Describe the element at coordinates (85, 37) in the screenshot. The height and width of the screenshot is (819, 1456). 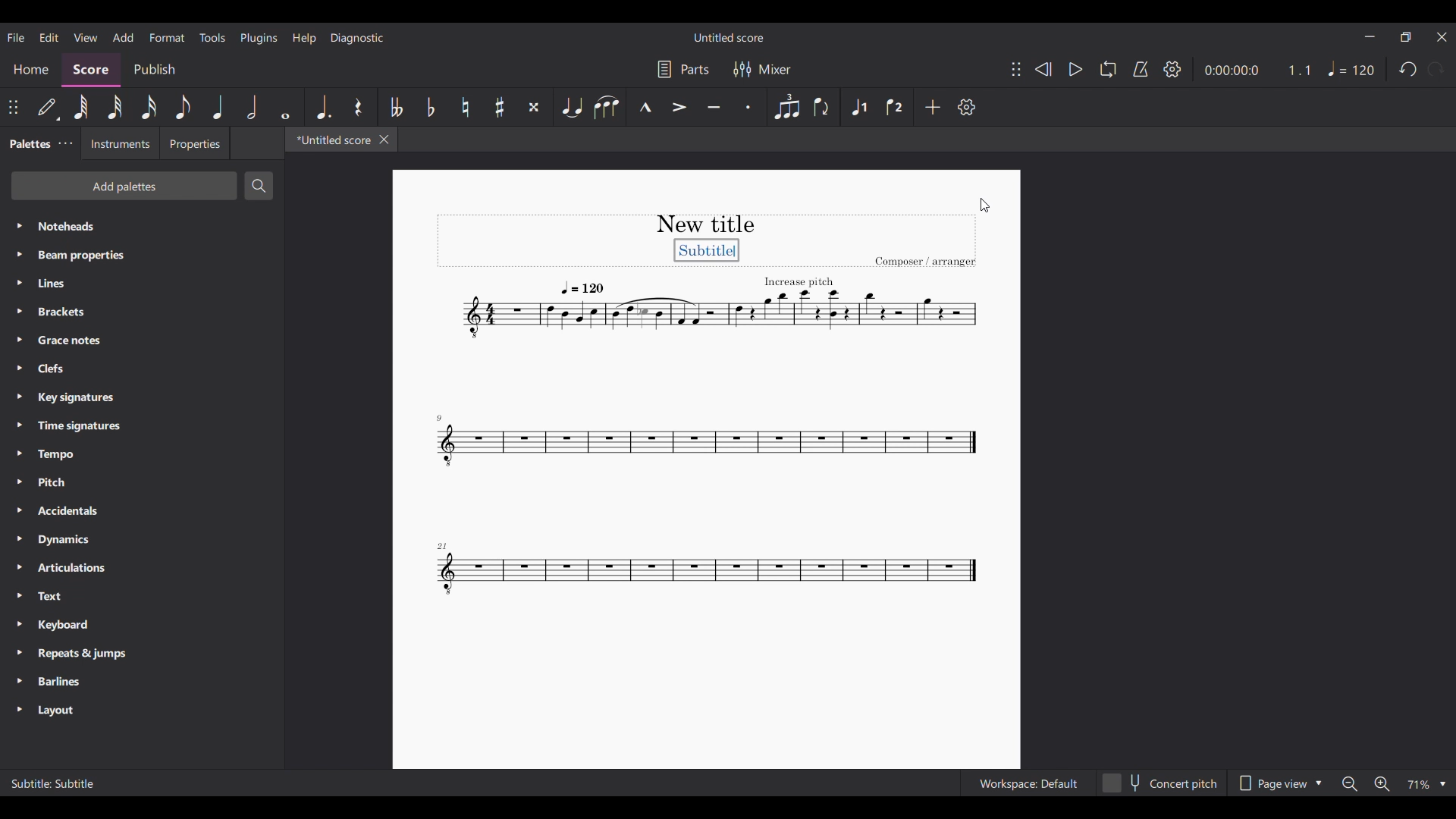
I see `View menu` at that location.